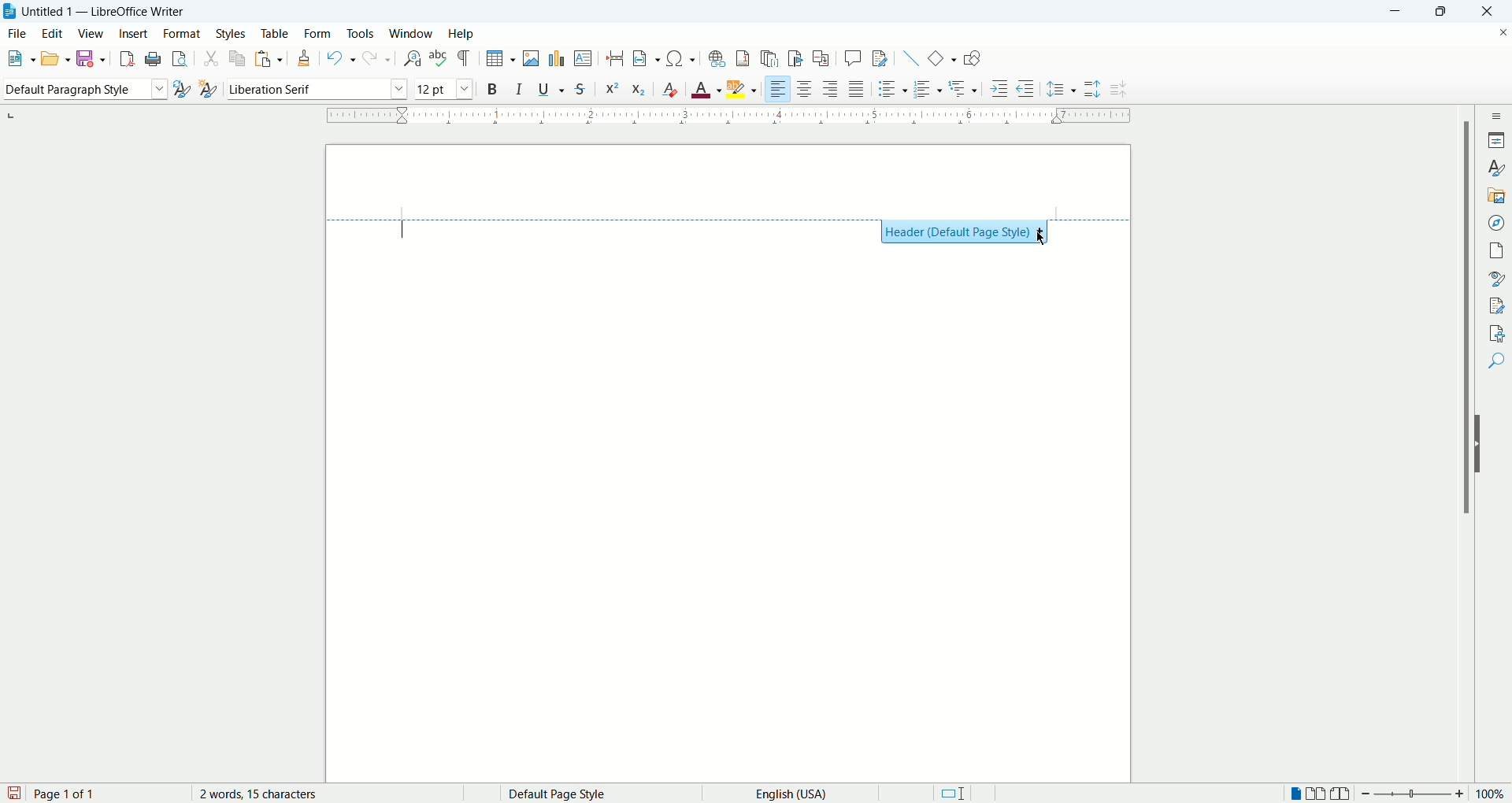  Describe the element at coordinates (925, 89) in the screenshot. I see `ordered list` at that location.